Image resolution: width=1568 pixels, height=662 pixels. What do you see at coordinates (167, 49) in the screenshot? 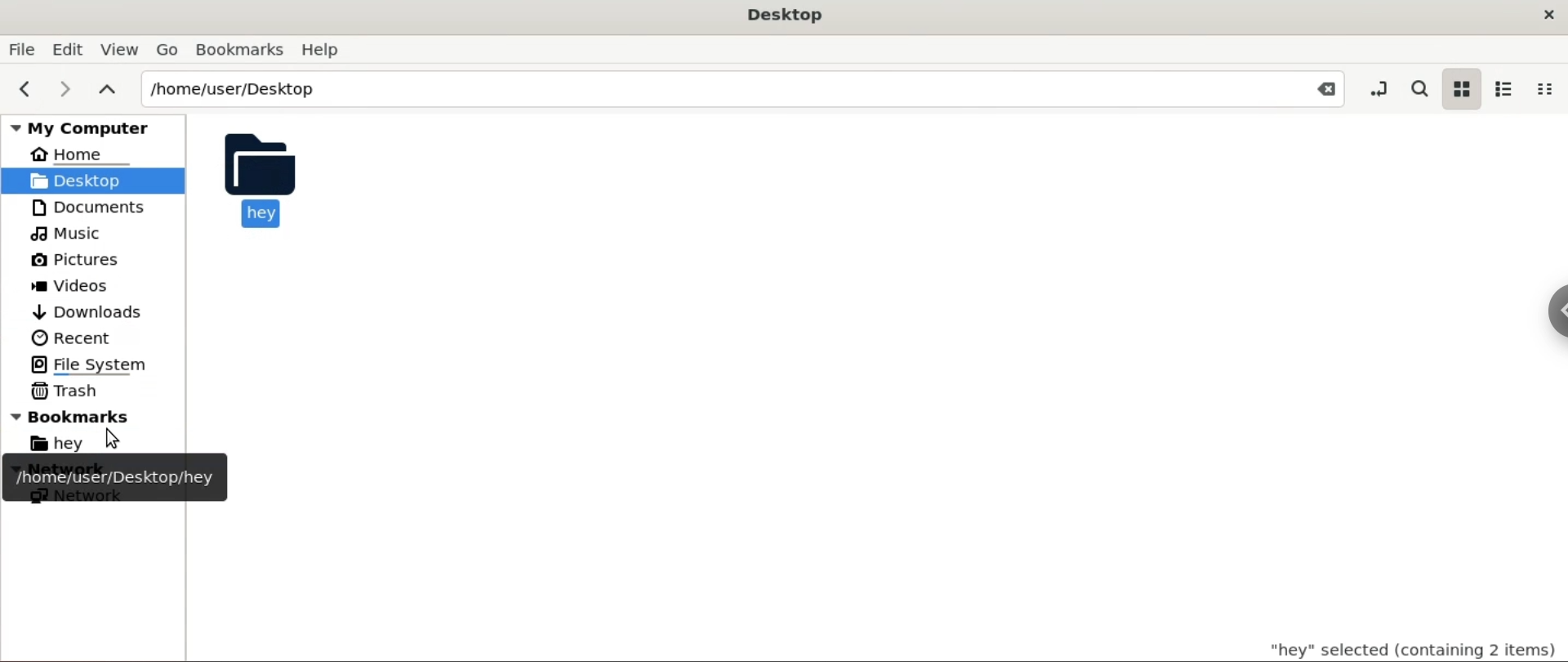
I see `Go ` at bounding box center [167, 49].